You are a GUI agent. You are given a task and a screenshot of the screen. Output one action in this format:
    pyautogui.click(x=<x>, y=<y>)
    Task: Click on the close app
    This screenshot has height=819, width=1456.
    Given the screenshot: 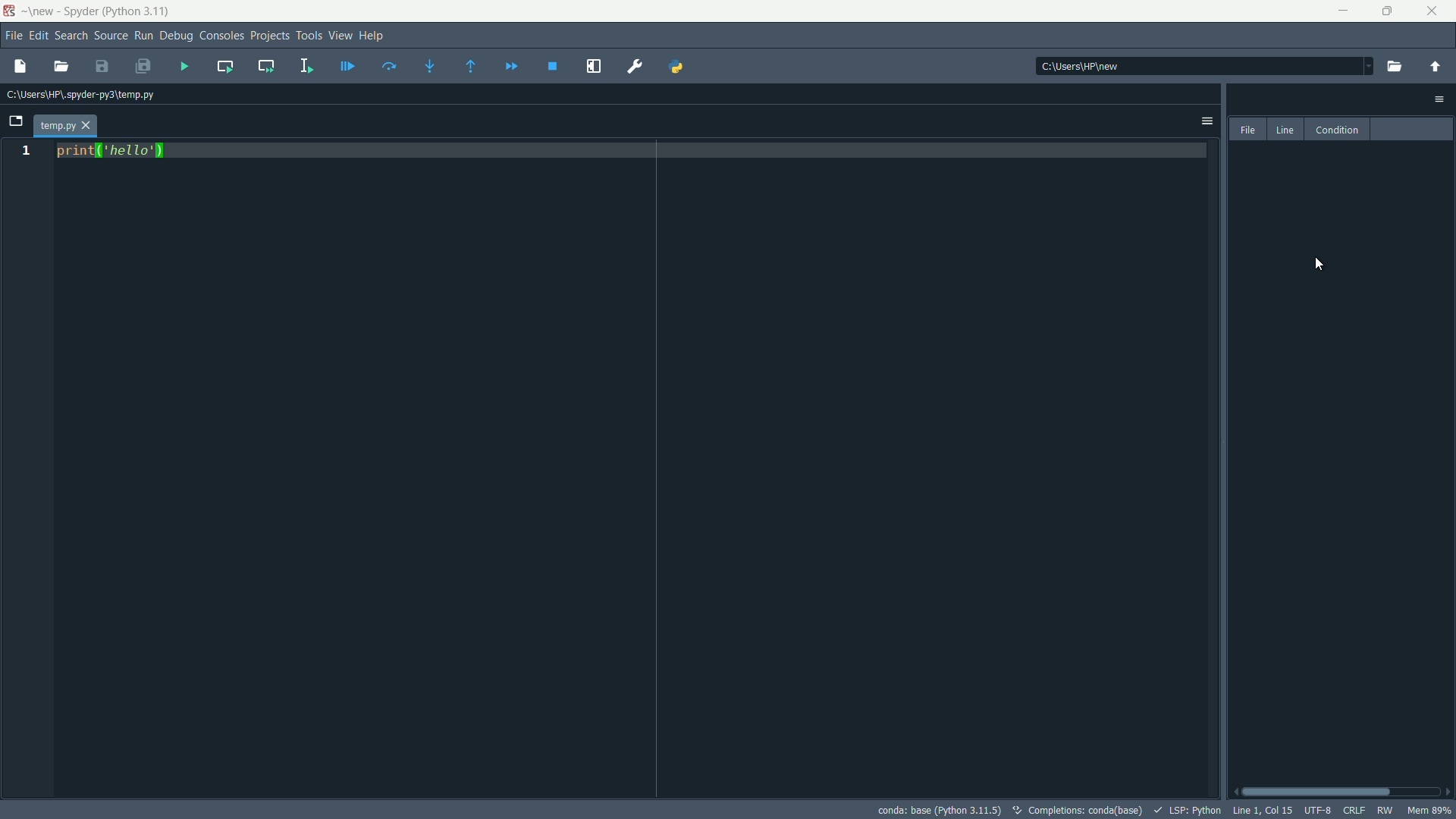 What is the action you would take?
    pyautogui.click(x=1435, y=11)
    